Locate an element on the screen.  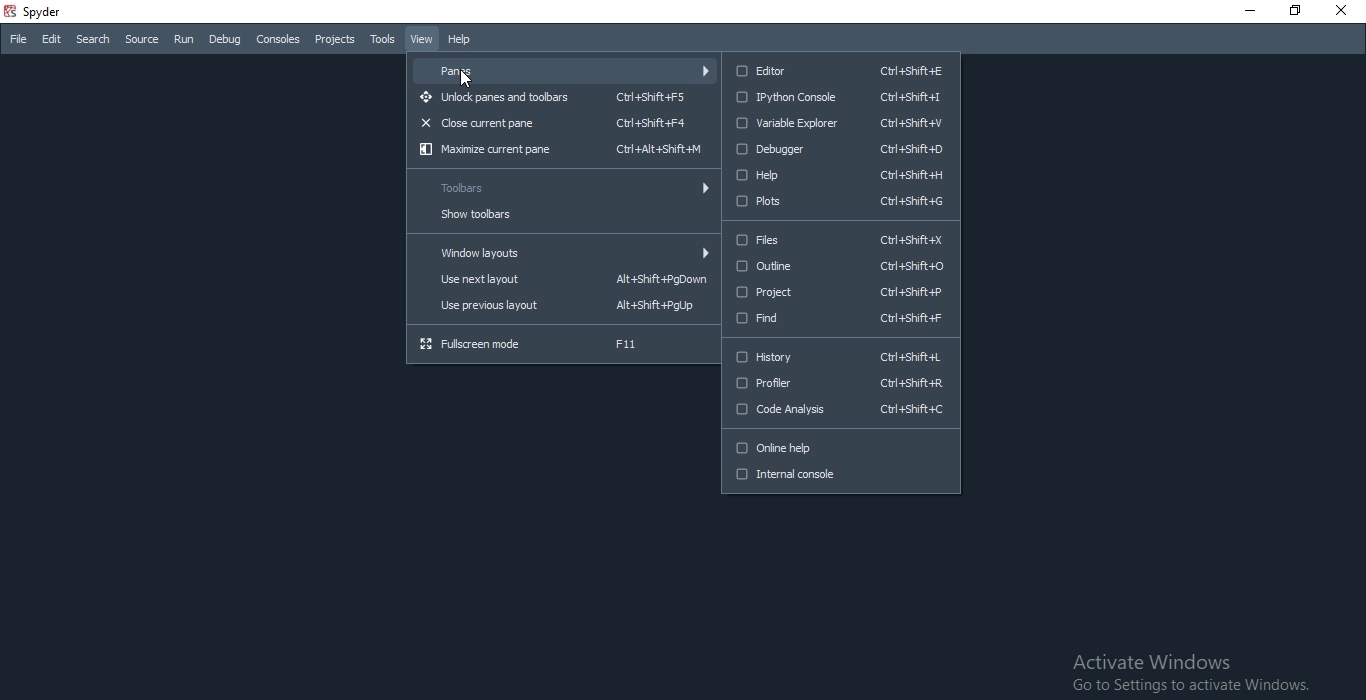
spyder  is located at coordinates (46, 12).